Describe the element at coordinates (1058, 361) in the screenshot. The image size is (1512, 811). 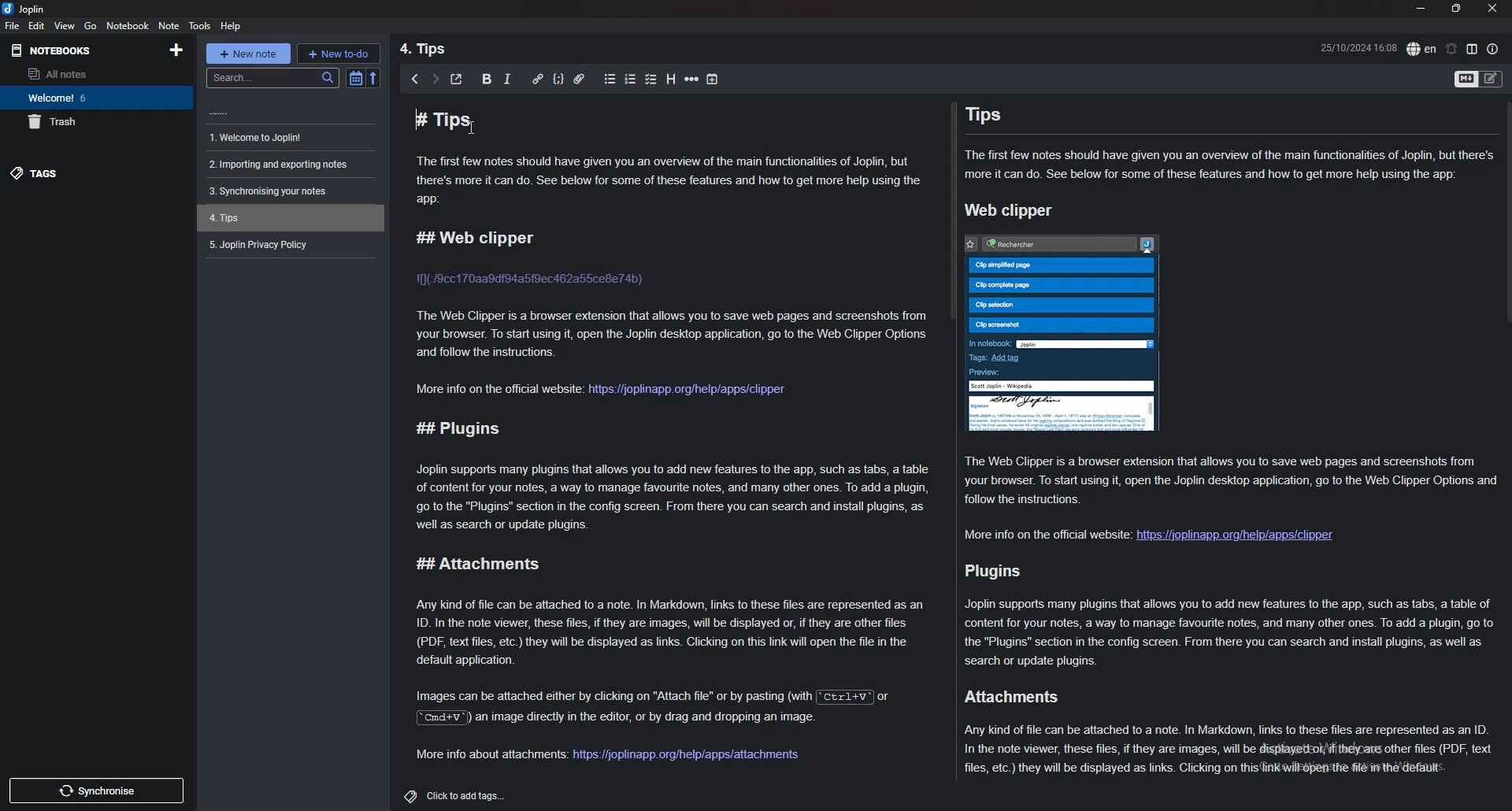
I see `Tags : Add tag` at that location.